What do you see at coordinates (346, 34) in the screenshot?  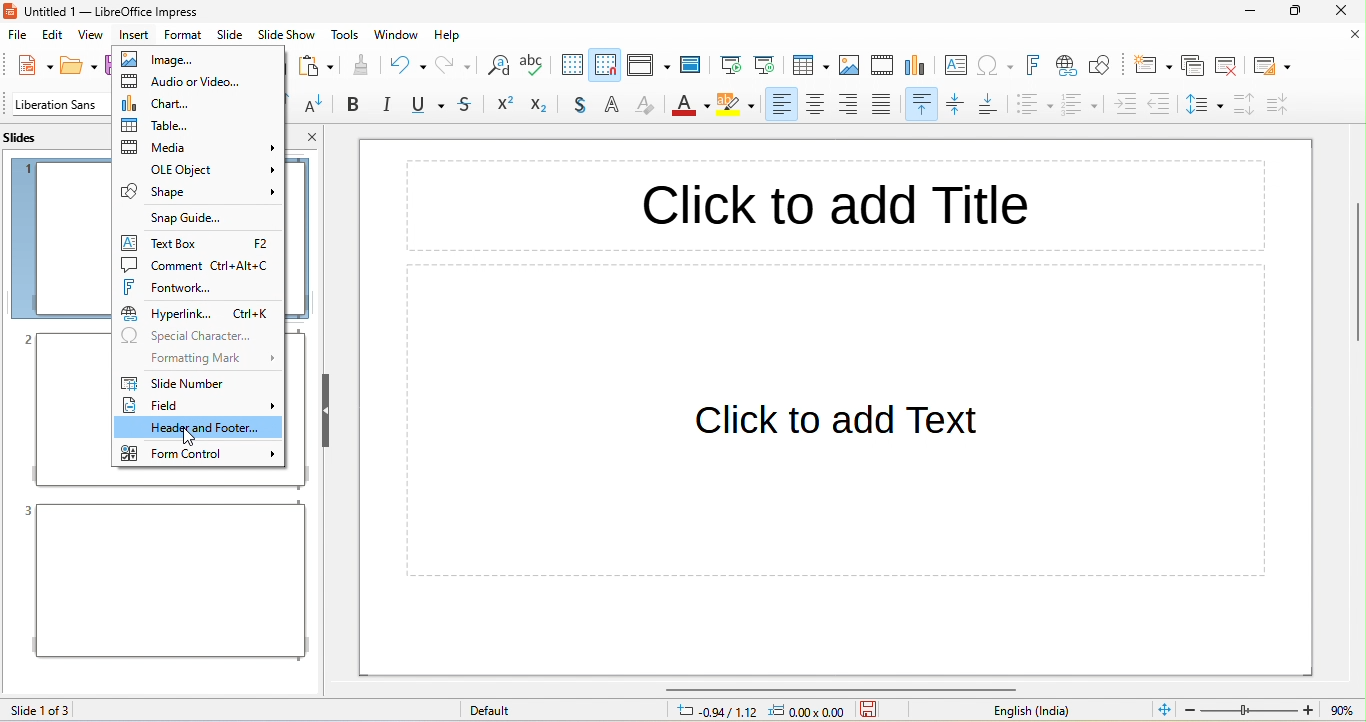 I see `tools` at bounding box center [346, 34].